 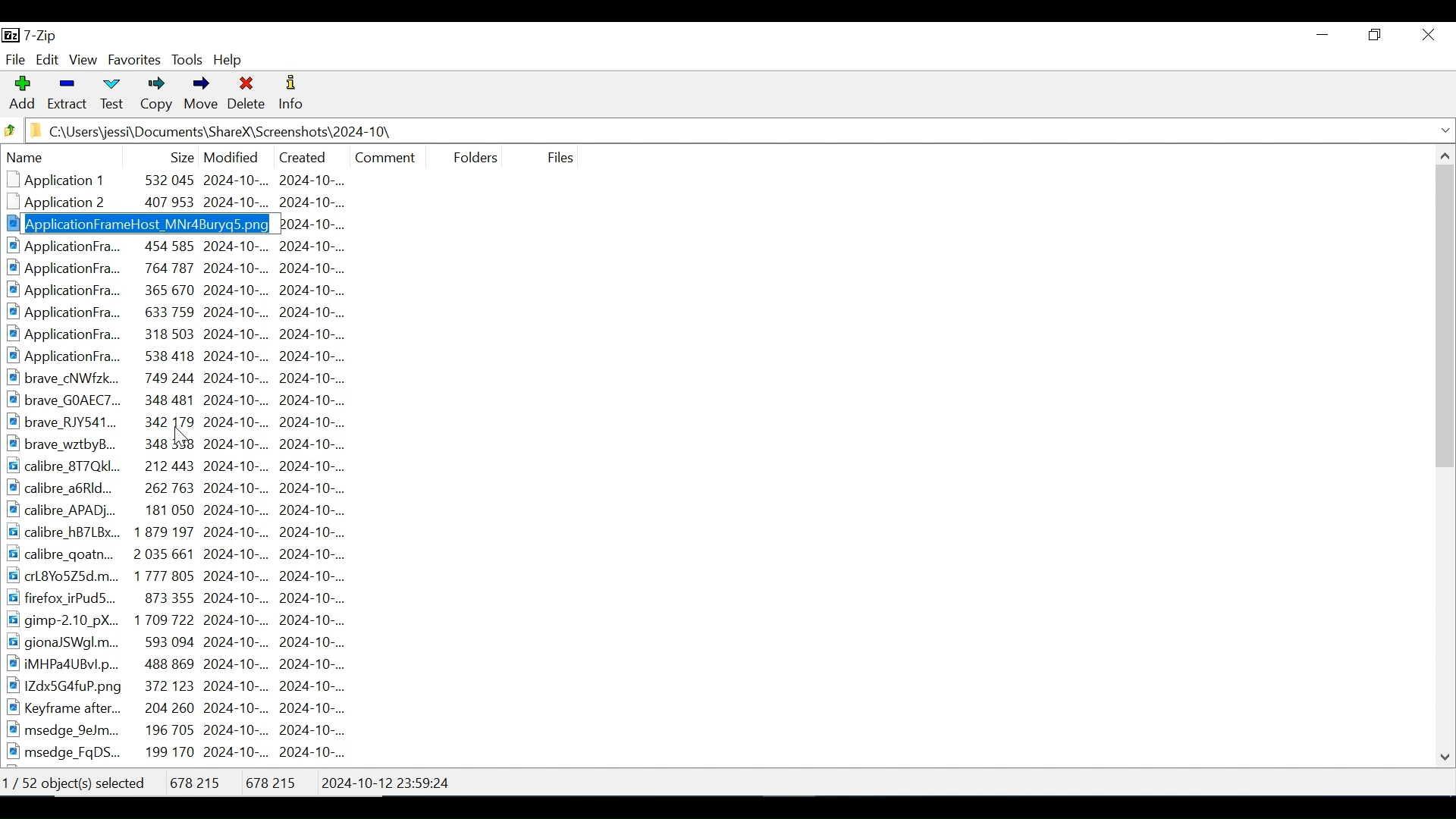 What do you see at coordinates (182, 438) in the screenshot?
I see `Cursor` at bounding box center [182, 438].